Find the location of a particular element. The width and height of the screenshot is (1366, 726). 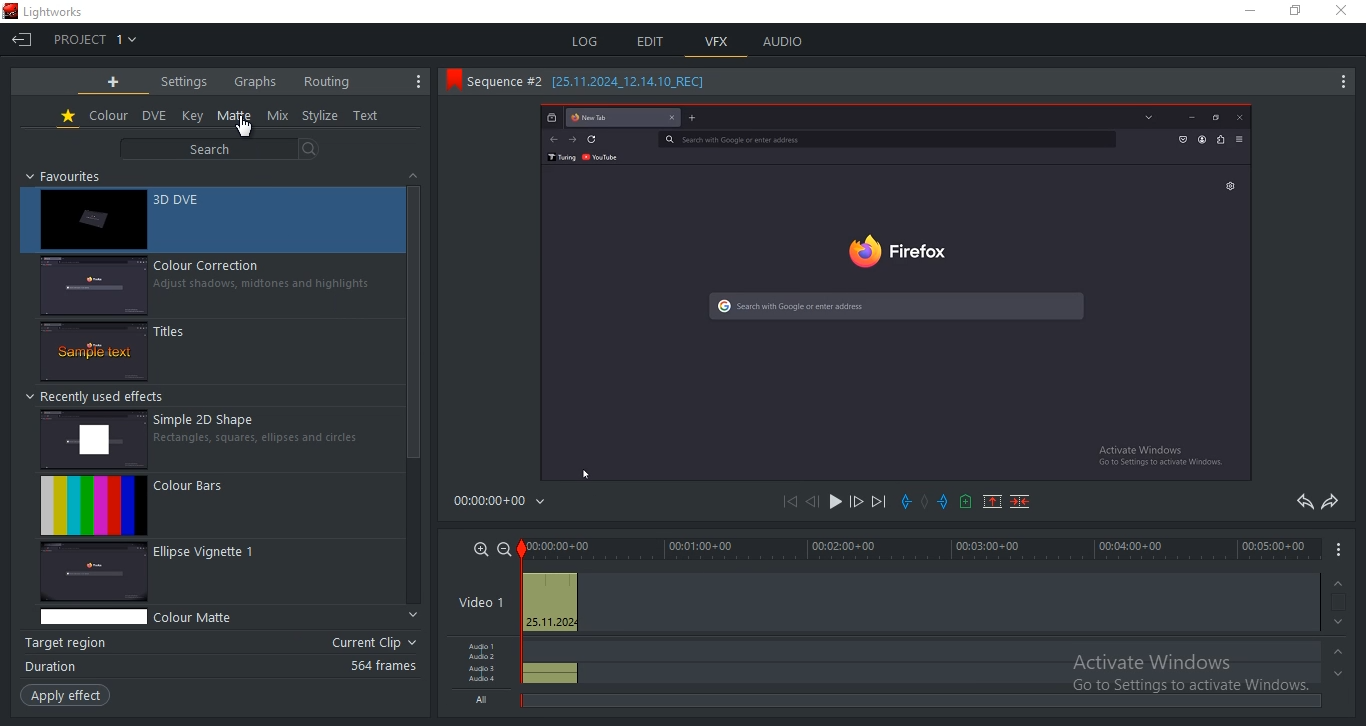

video 1 is located at coordinates (477, 604).